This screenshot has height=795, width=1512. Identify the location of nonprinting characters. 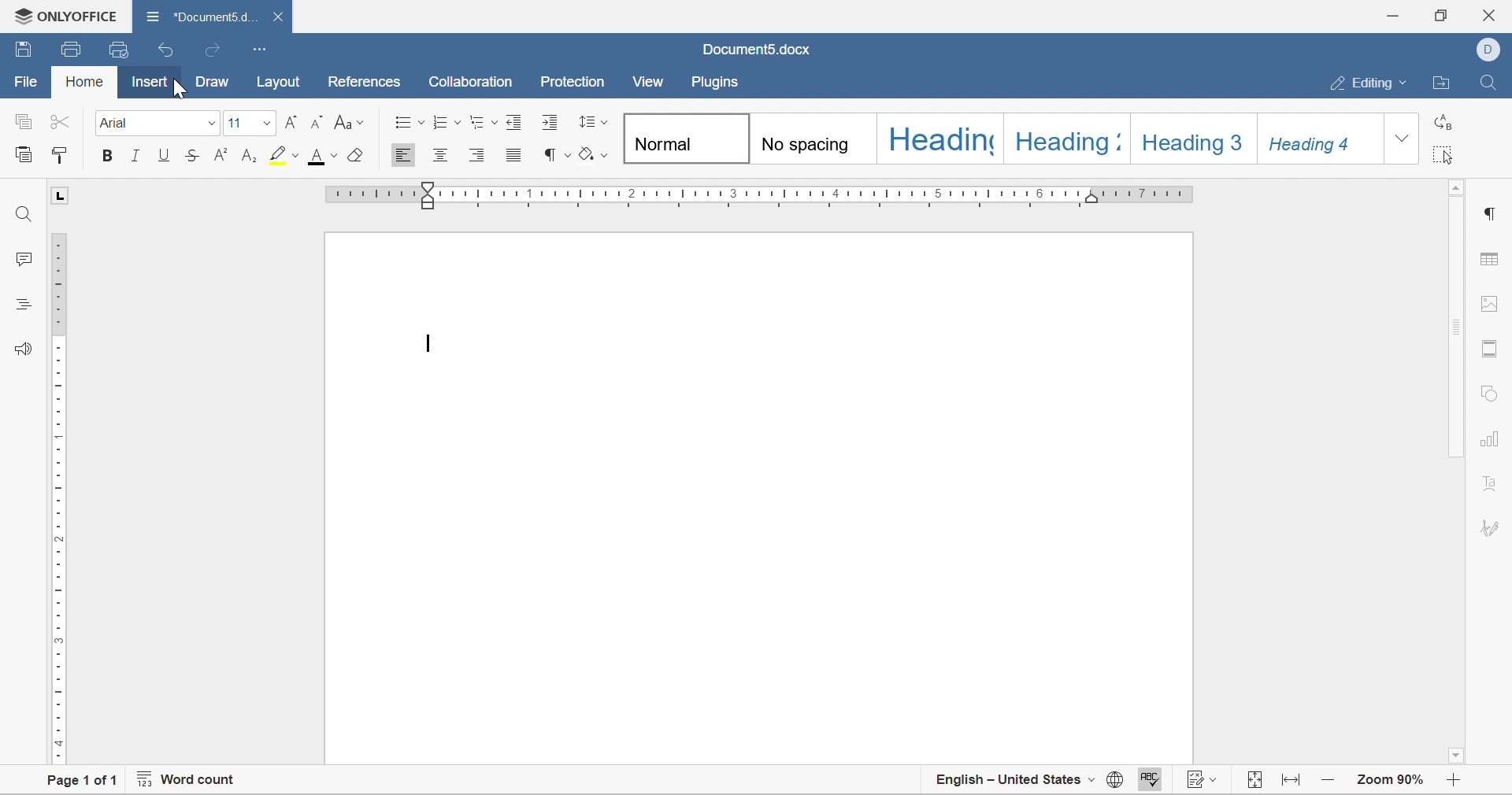
(554, 153).